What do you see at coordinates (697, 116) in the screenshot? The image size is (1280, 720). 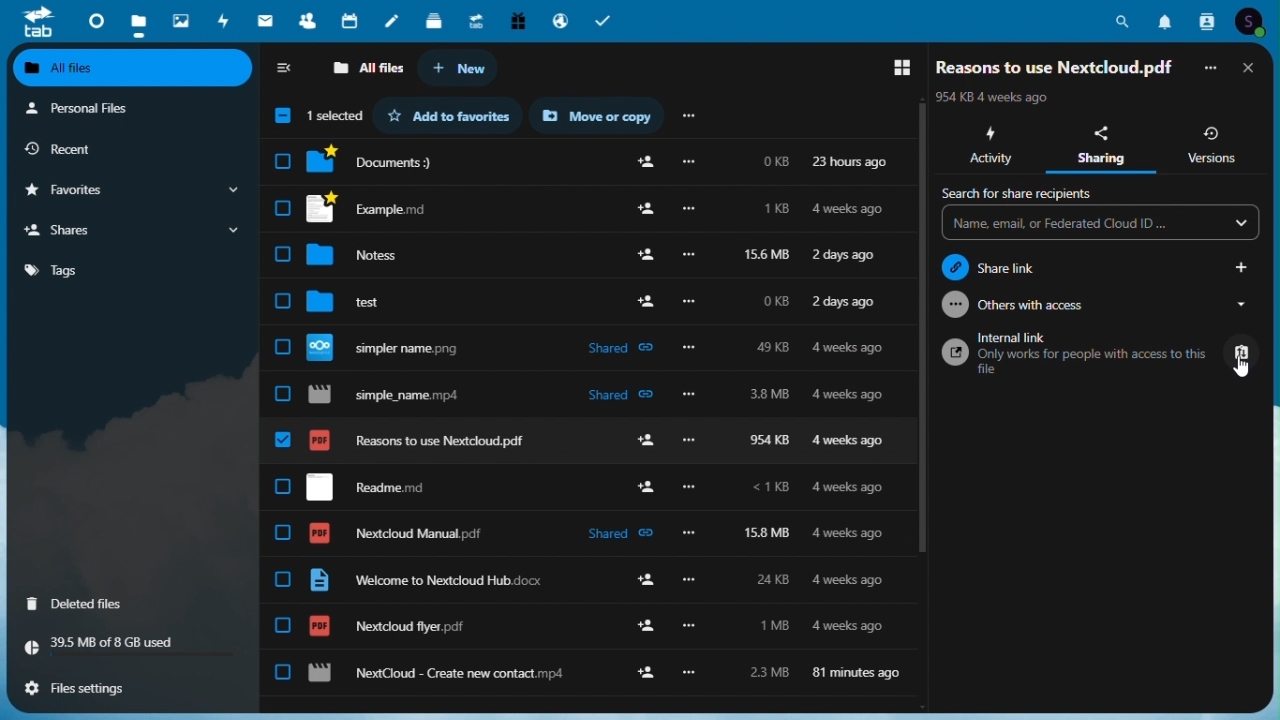 I see `more` at bounding box center [697, 116].